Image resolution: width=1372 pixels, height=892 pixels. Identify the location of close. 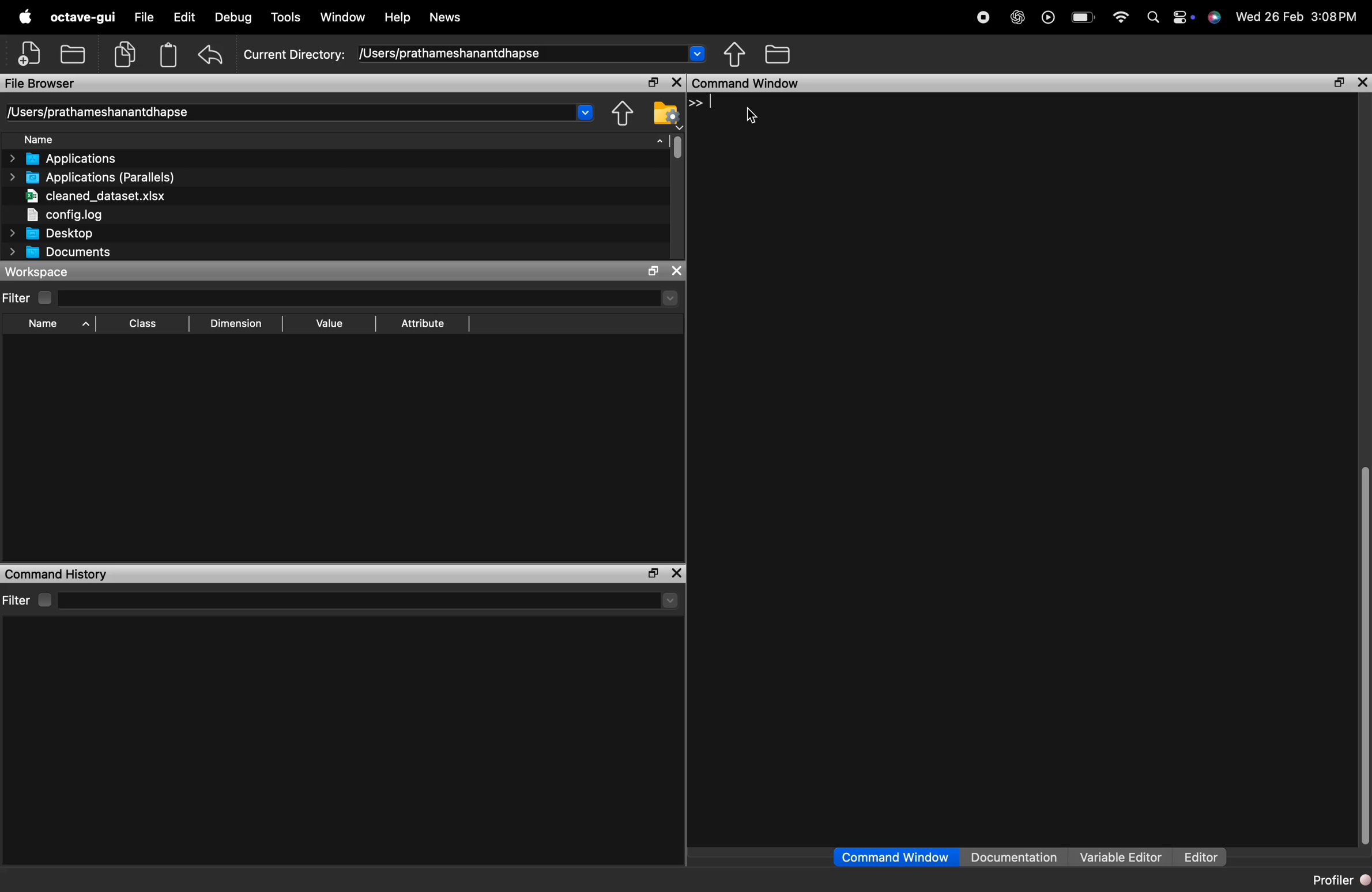
(675, 84).